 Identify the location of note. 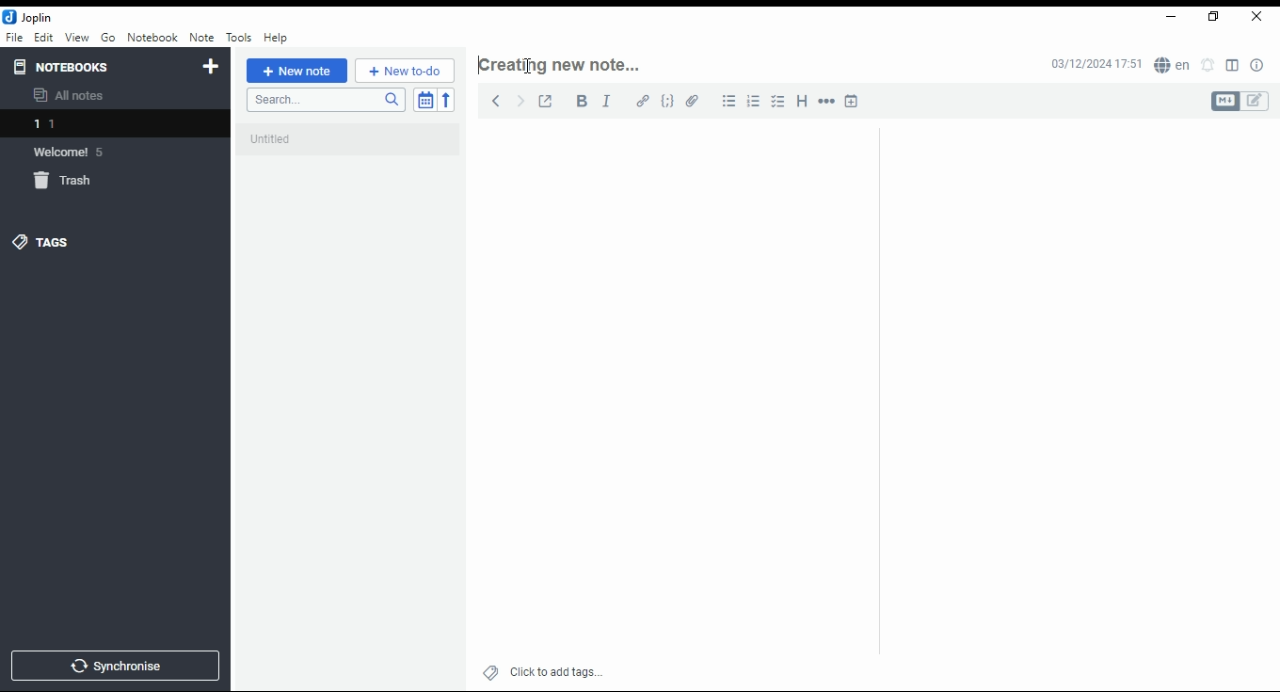
(200, 38).